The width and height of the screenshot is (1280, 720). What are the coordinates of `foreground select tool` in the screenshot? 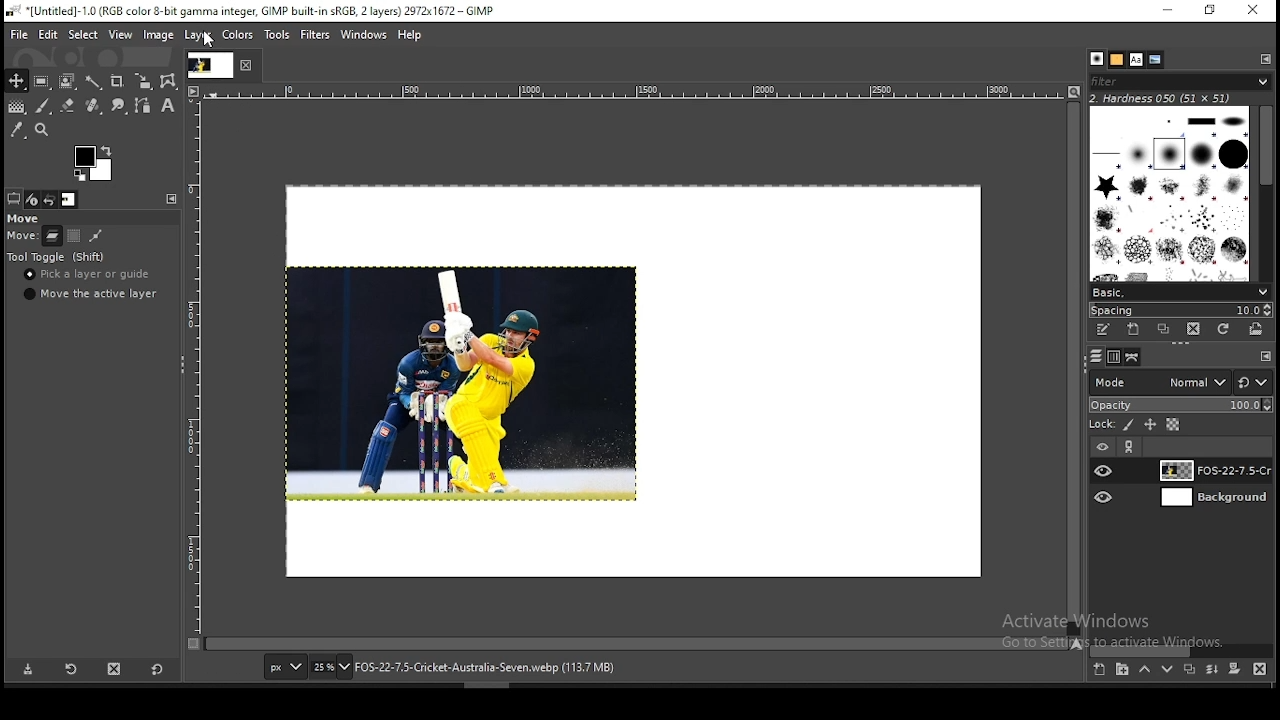 It's located at (68, 79).